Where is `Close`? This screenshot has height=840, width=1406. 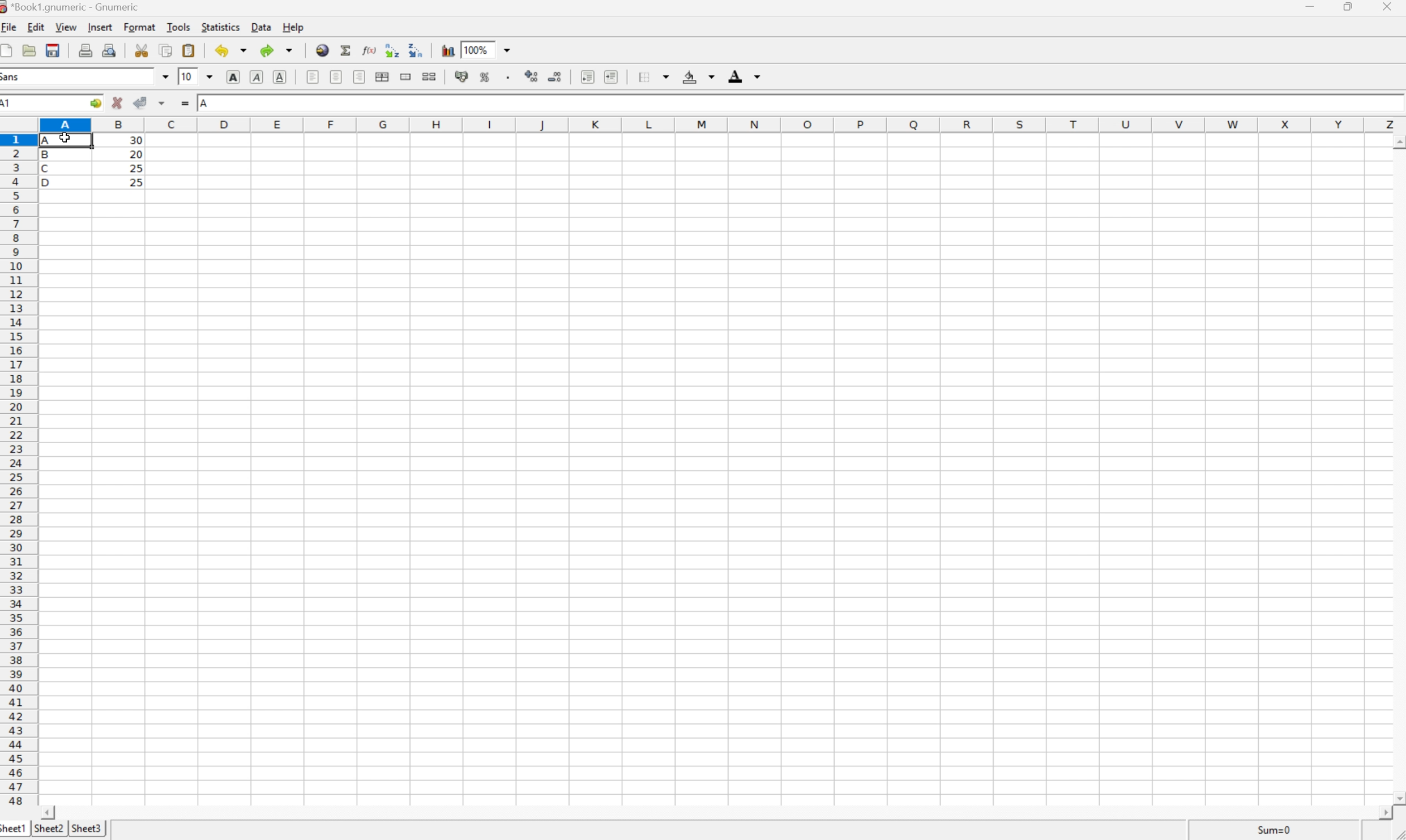 Close is located at coordinates (1388, 7).